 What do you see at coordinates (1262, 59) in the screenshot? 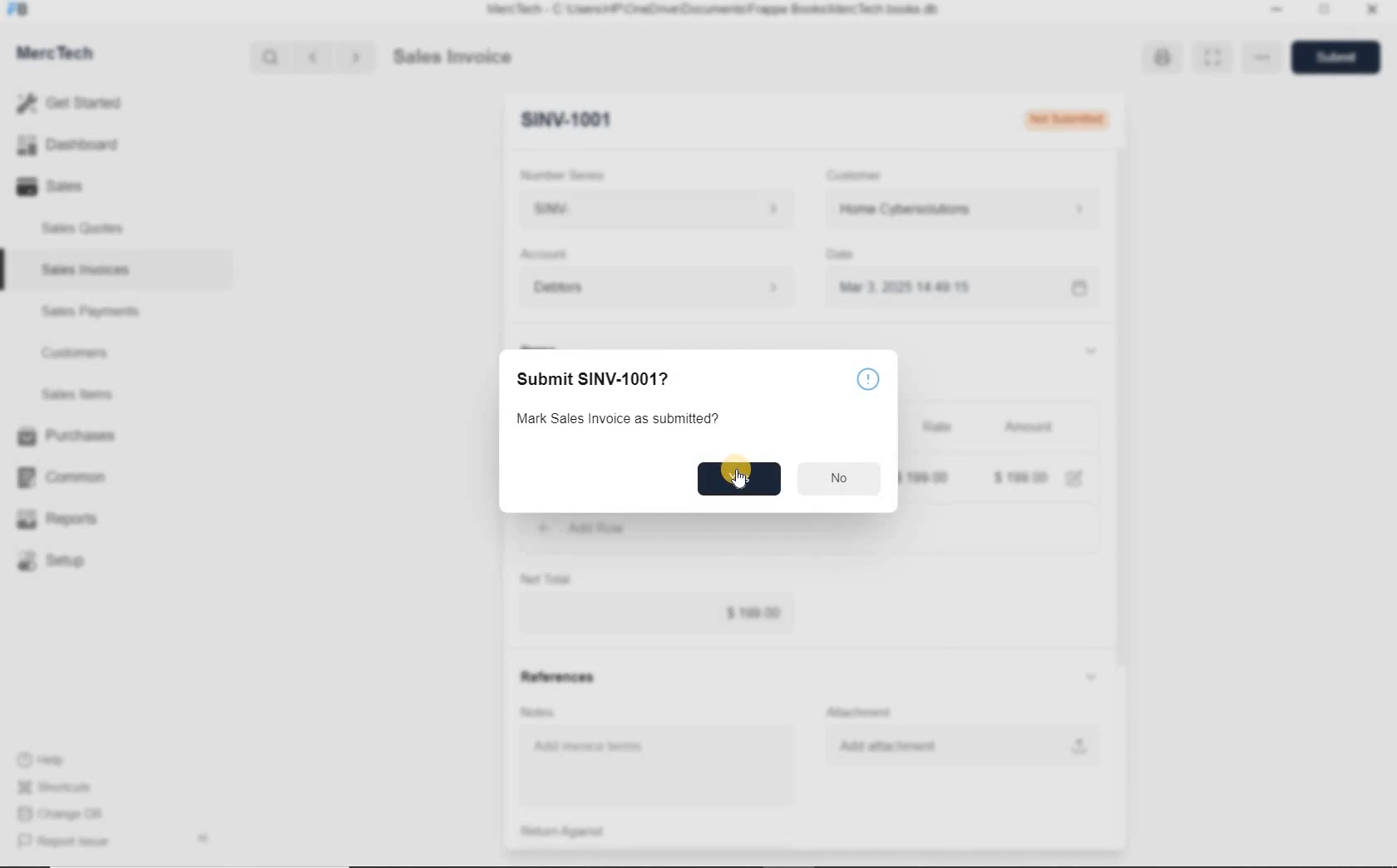
I see `options` at bounding box center [1262, 59].